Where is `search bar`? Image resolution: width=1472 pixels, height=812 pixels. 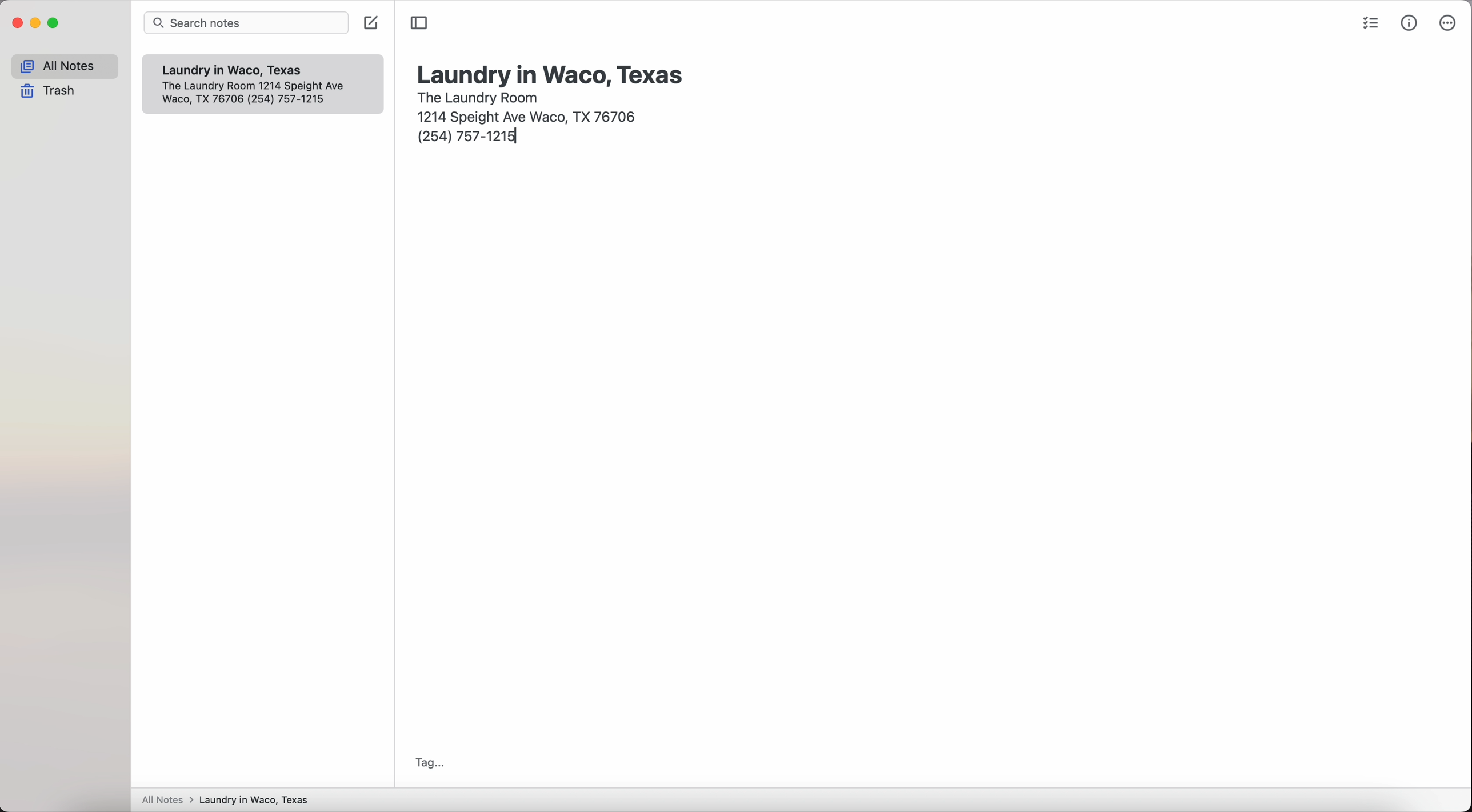 search bar is located at coordinates (249, 24).